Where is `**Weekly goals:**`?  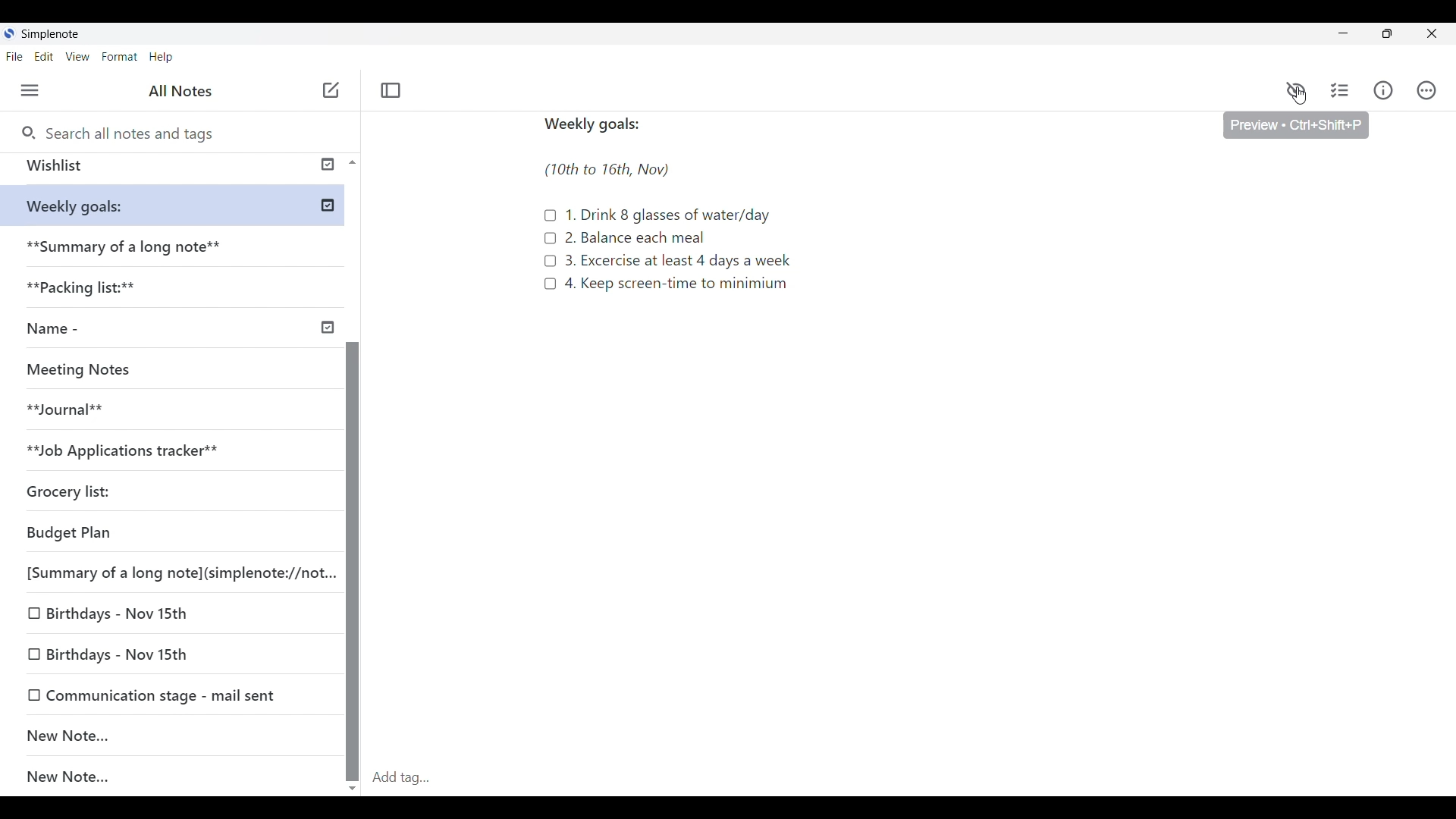 **Weekly goals:** is located at coordinates (184, 206).